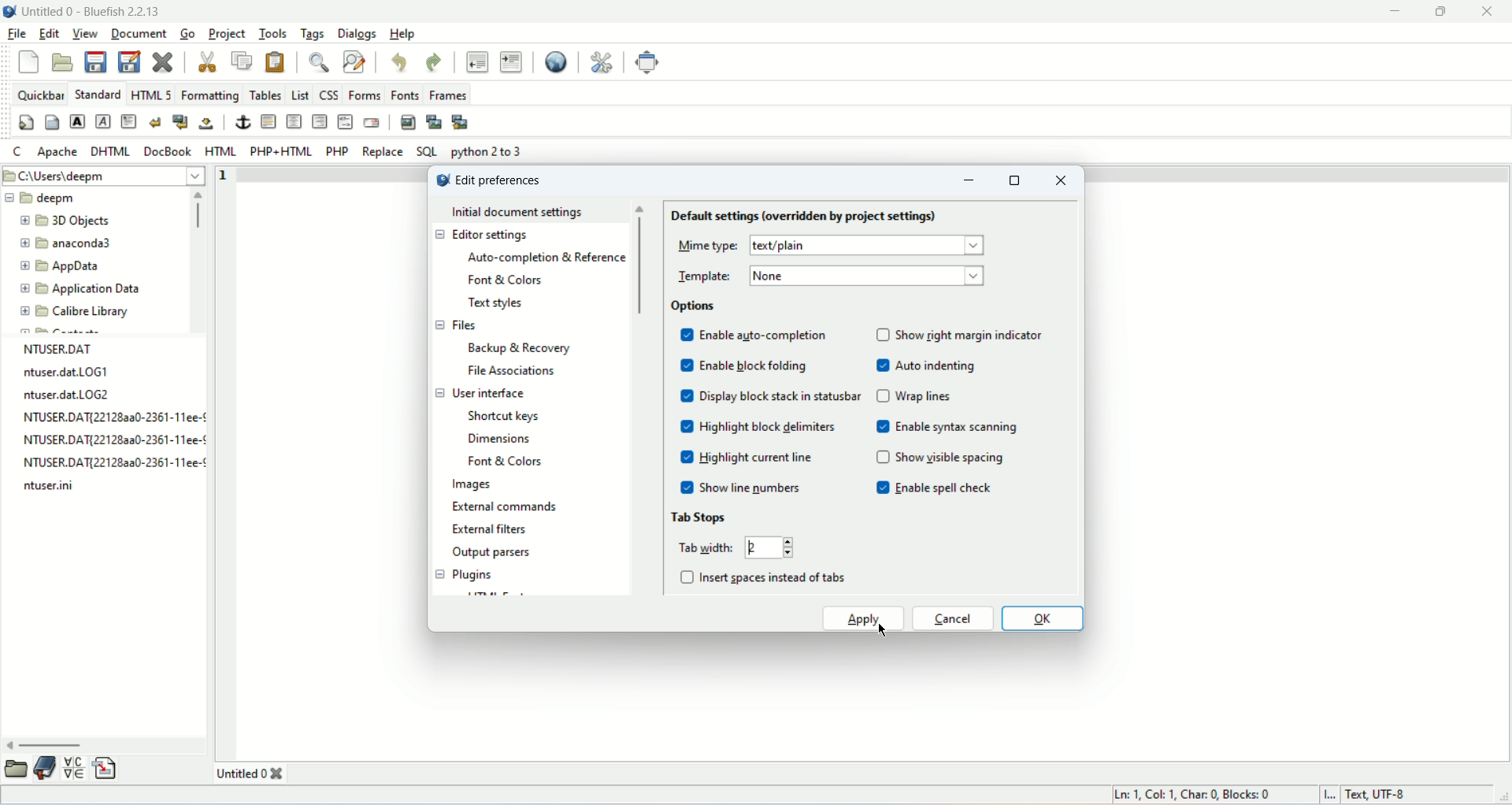 Image resolution: width=1512 pixels, height=805 pixels. Describe the element at coordinates (955, 618) in the screenshot. I see `cancel` at that location.